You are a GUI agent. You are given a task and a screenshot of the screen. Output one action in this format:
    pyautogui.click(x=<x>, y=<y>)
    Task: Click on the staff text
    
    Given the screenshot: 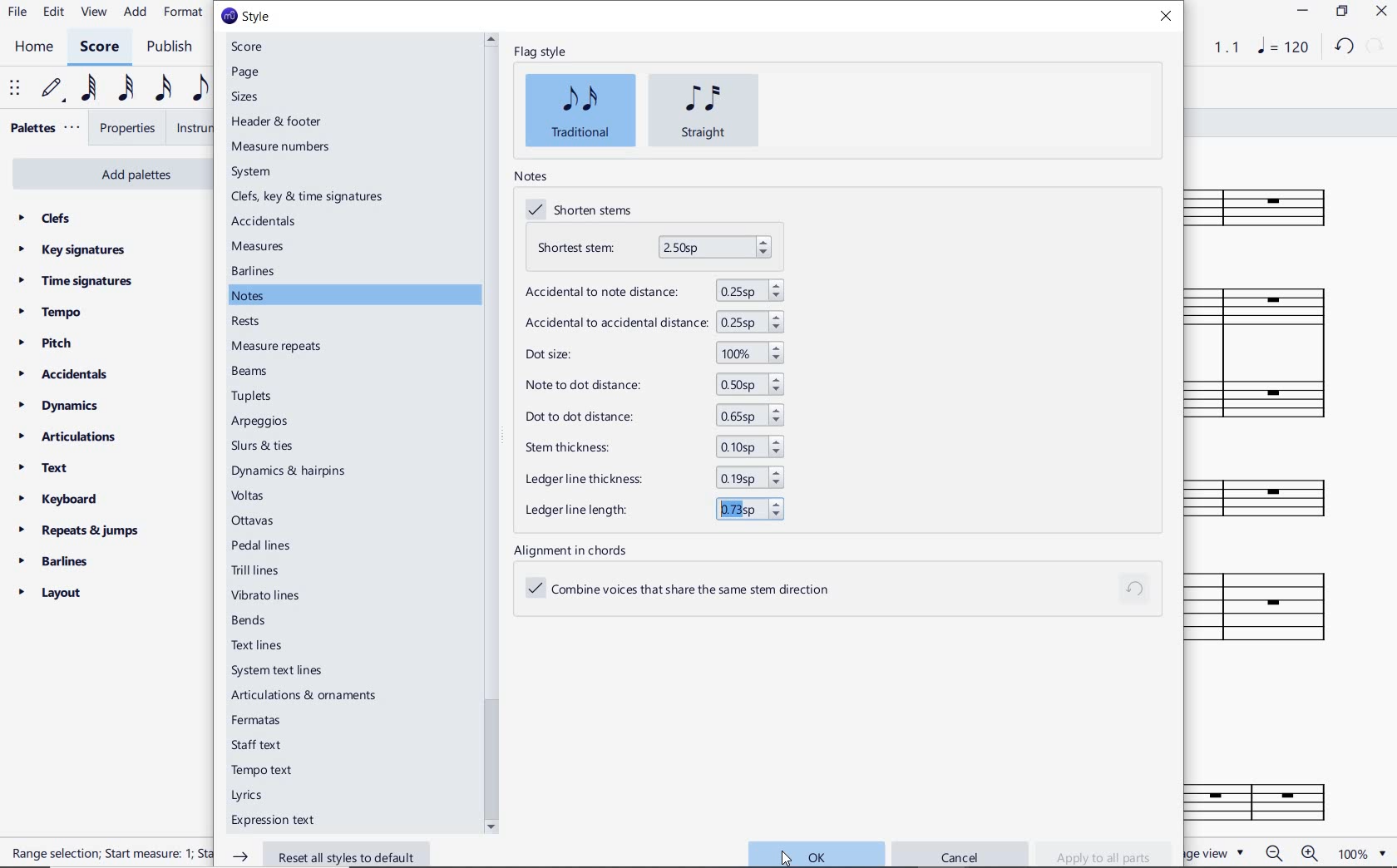 What is the action you would take?
    pyautogui.click(x=259, y=743)
    